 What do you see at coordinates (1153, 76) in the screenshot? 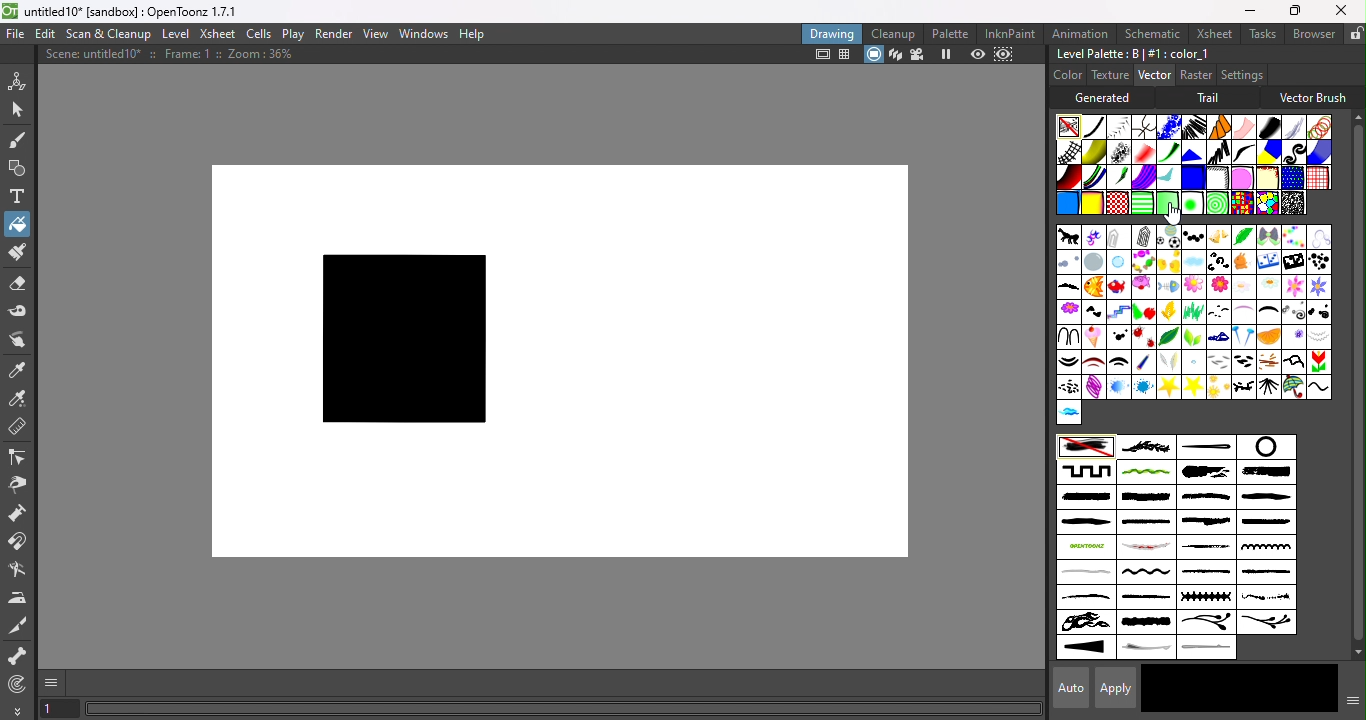
I see `Vector` at bounding box center [1153, 76].